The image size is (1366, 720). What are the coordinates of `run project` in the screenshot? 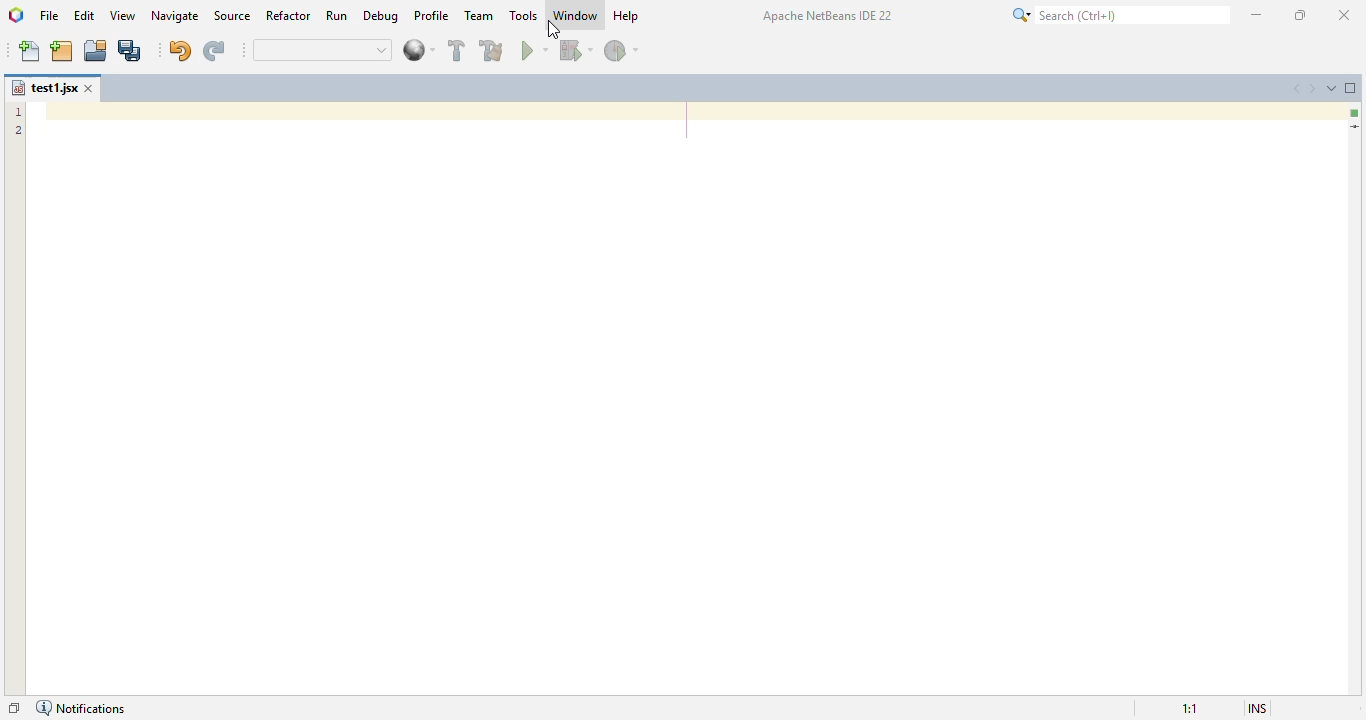 It's located at (535, 50).